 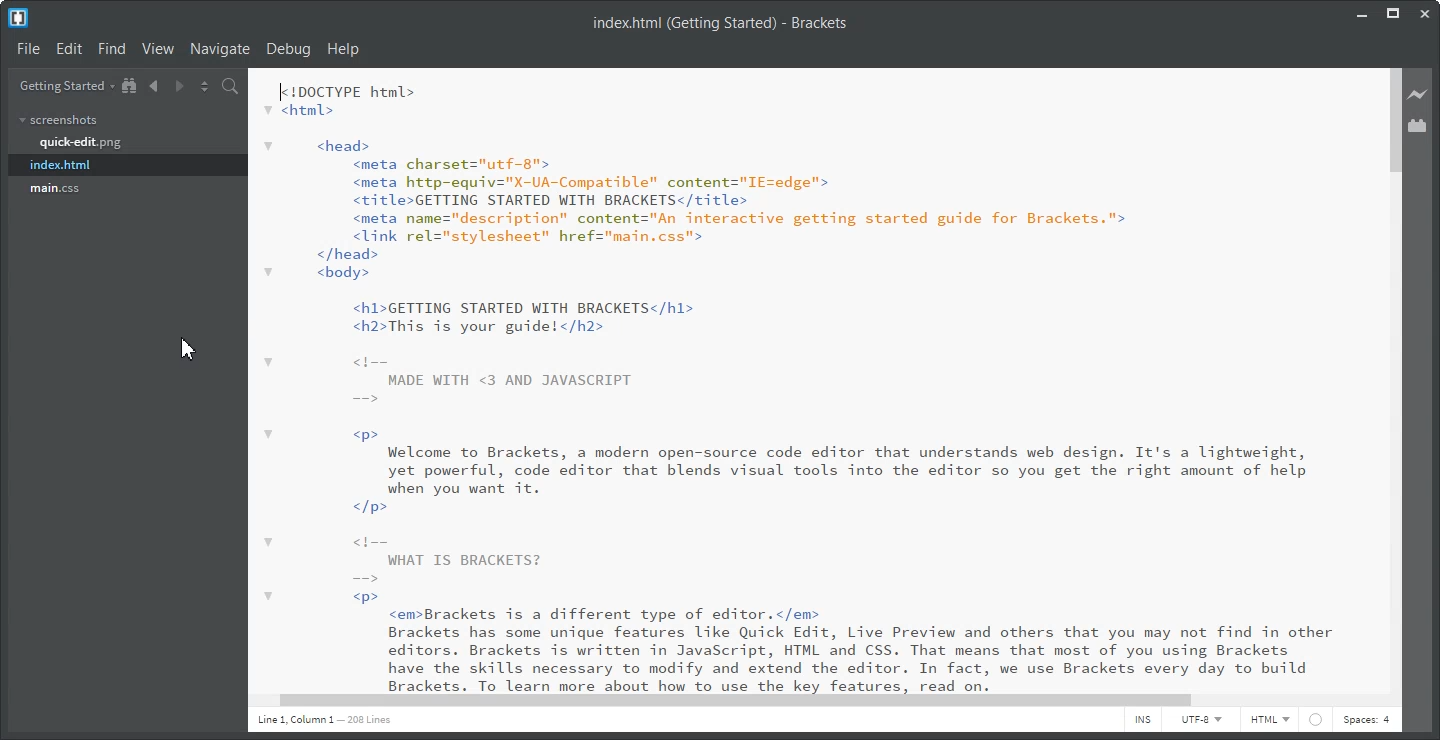 I want to click on Vertical Scroll Bar, so click(x=1392, y=377).